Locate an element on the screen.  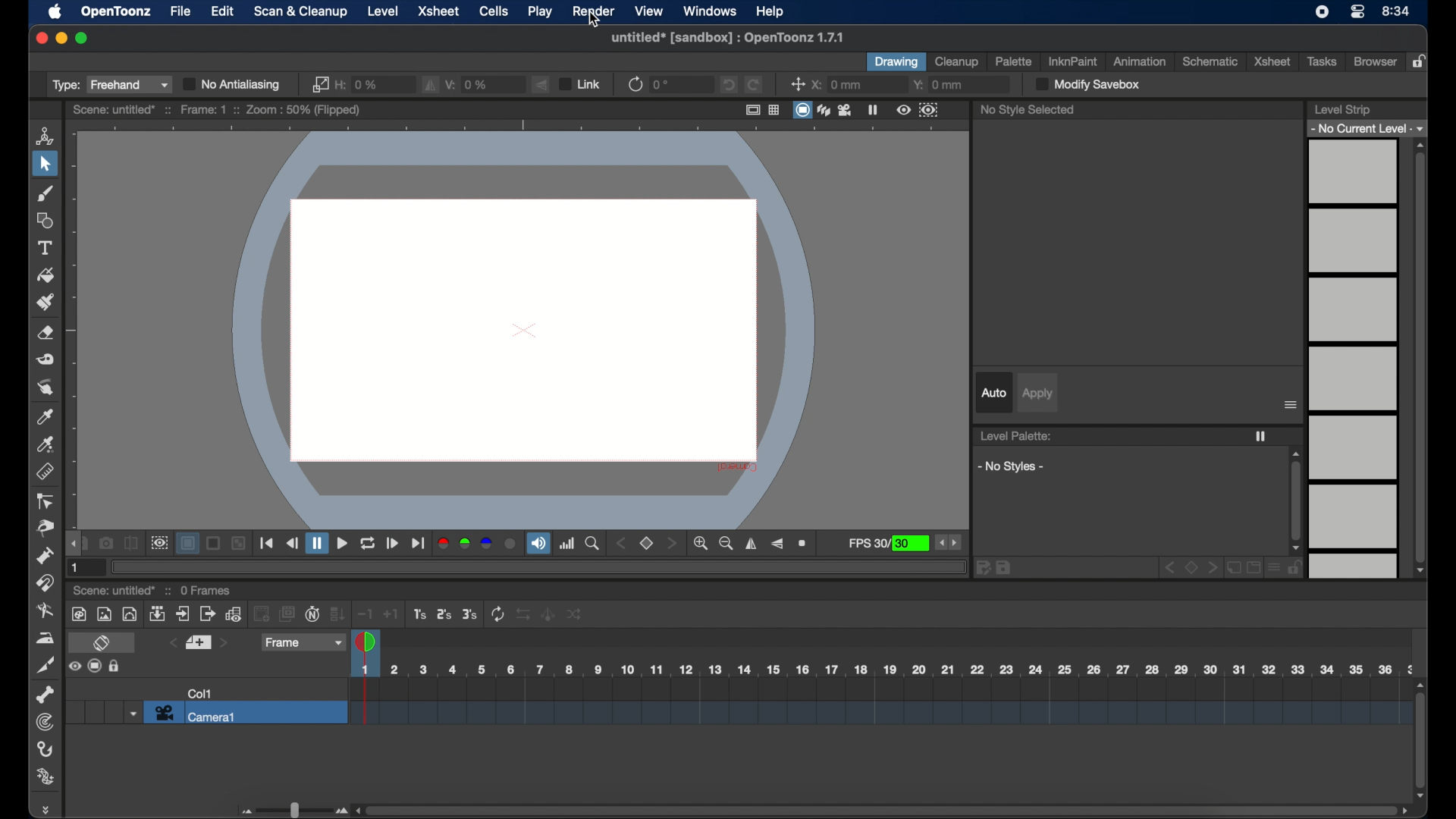
scene scale is located at coordinates (883, 666).